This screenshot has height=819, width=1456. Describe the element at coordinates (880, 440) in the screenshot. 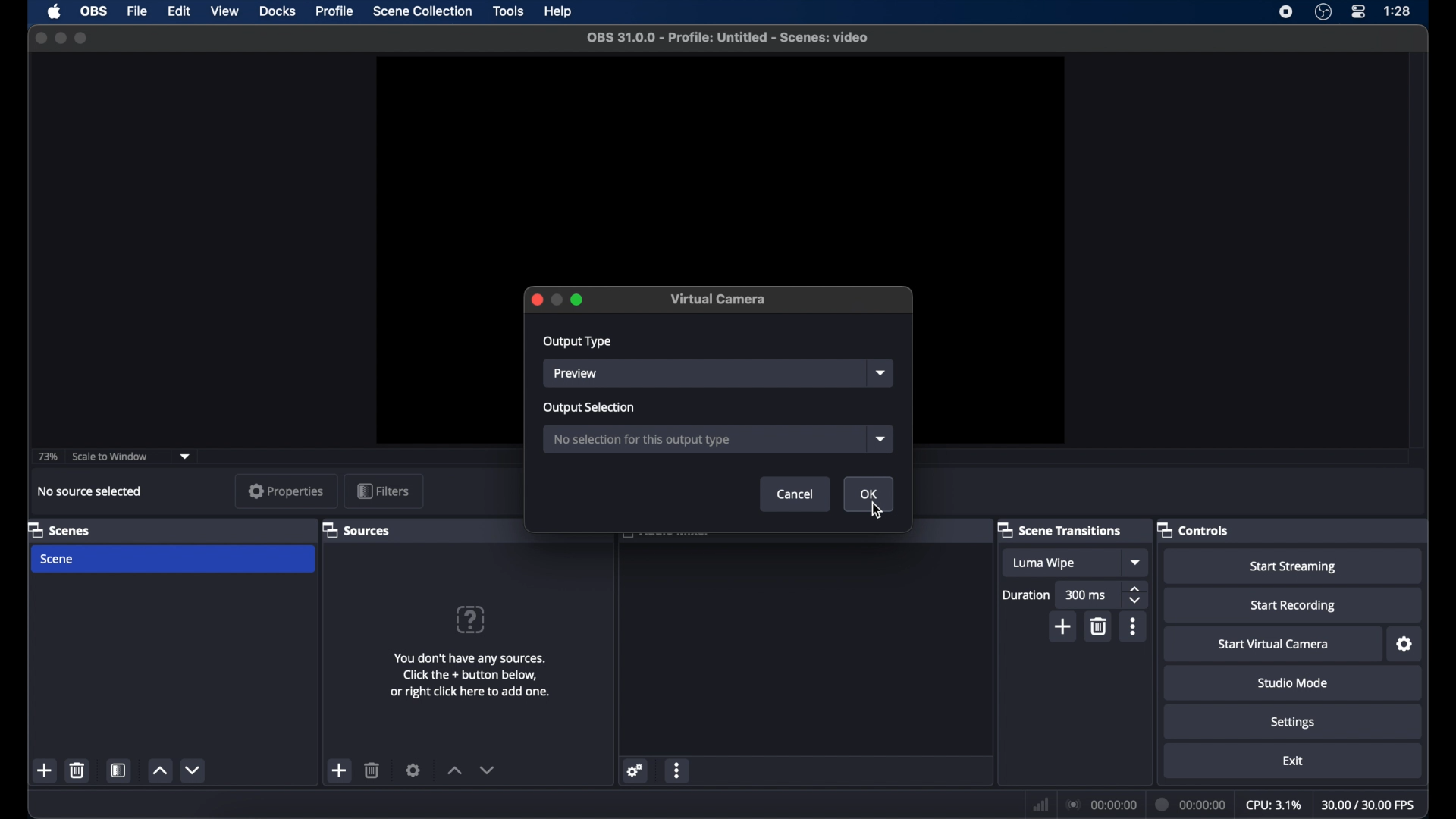

I see `dropdown` at that location.